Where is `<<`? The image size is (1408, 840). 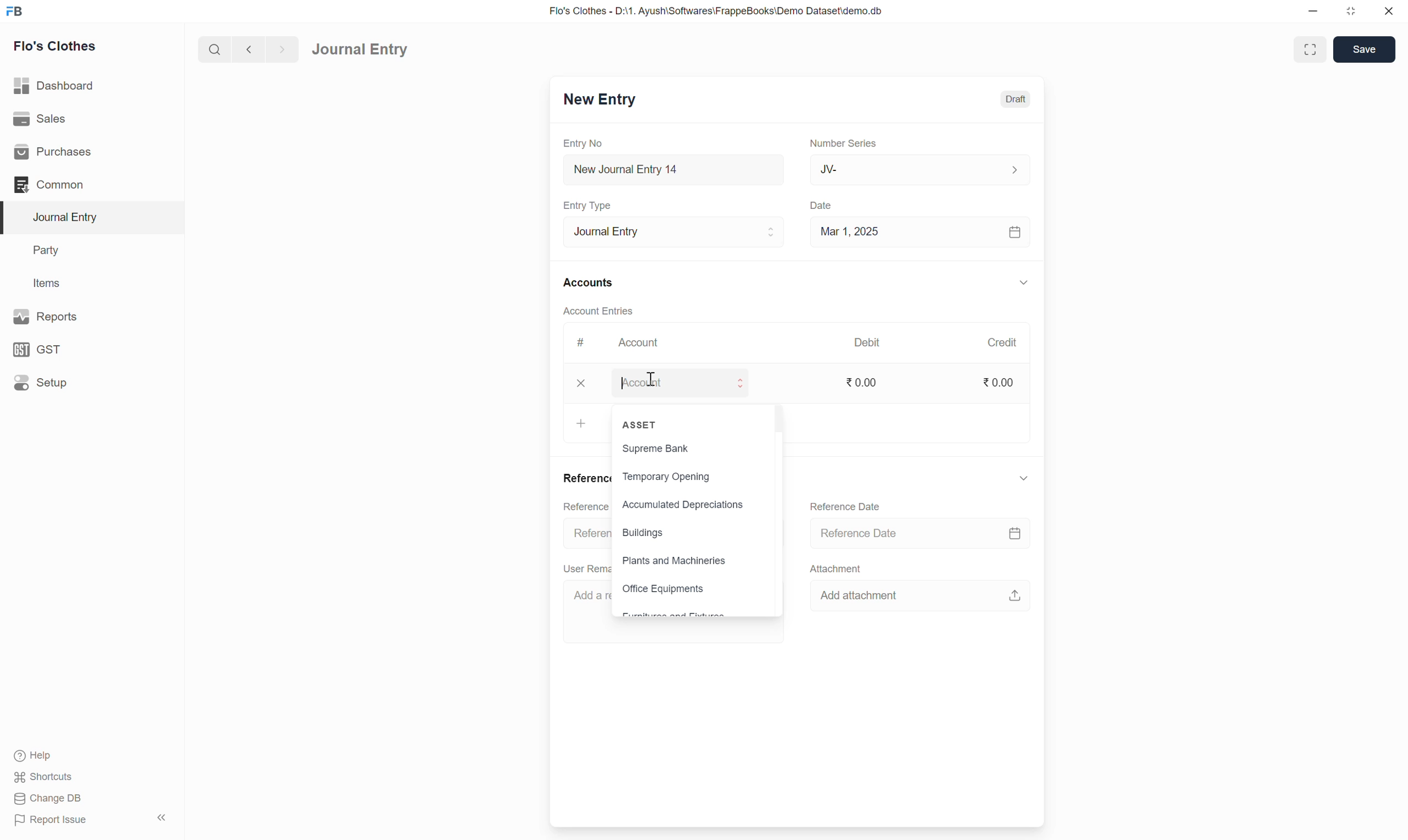
<< is located at coordinates (161, 818).